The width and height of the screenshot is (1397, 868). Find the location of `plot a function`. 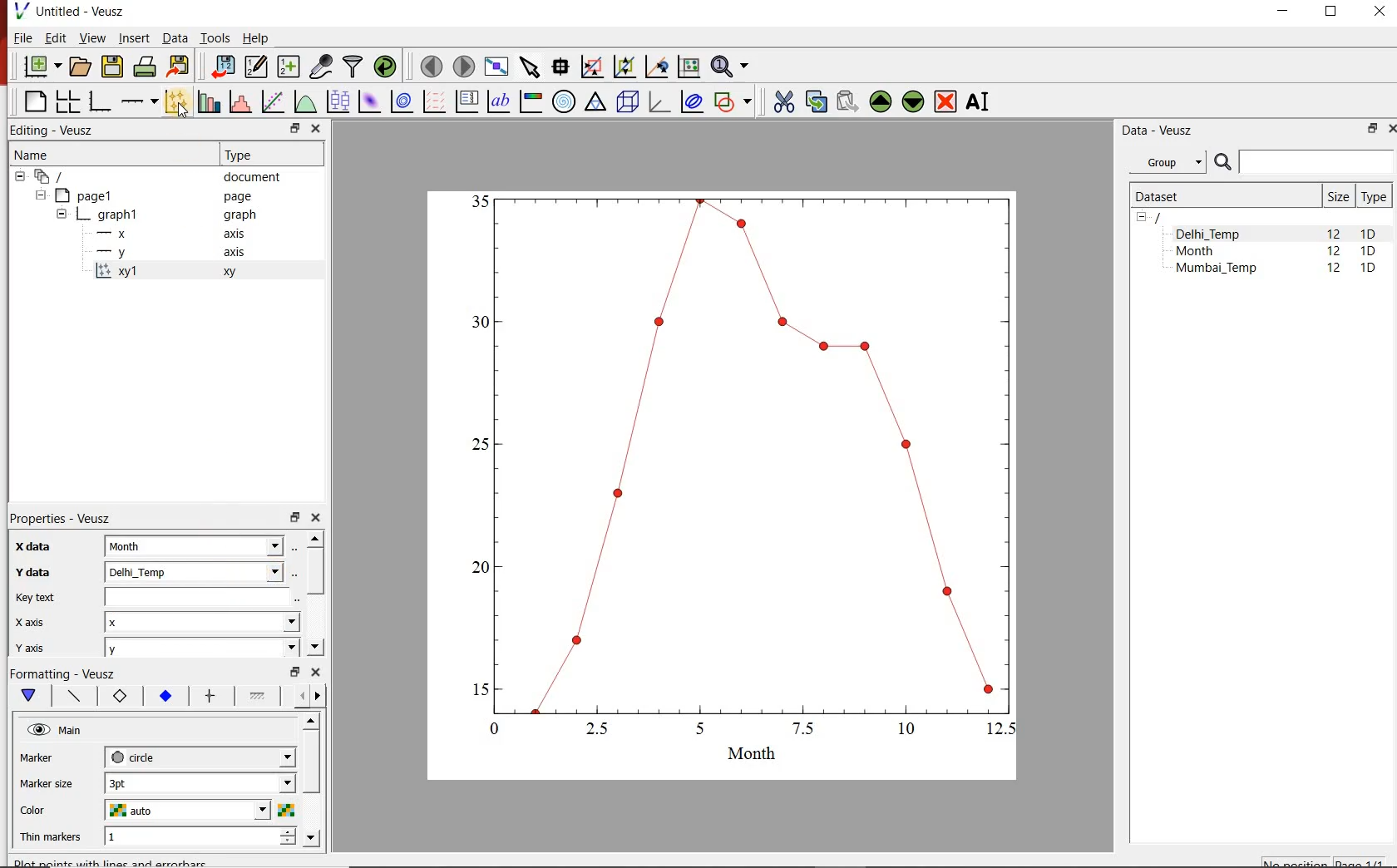

plot a function is located at coordinates (305, 101).